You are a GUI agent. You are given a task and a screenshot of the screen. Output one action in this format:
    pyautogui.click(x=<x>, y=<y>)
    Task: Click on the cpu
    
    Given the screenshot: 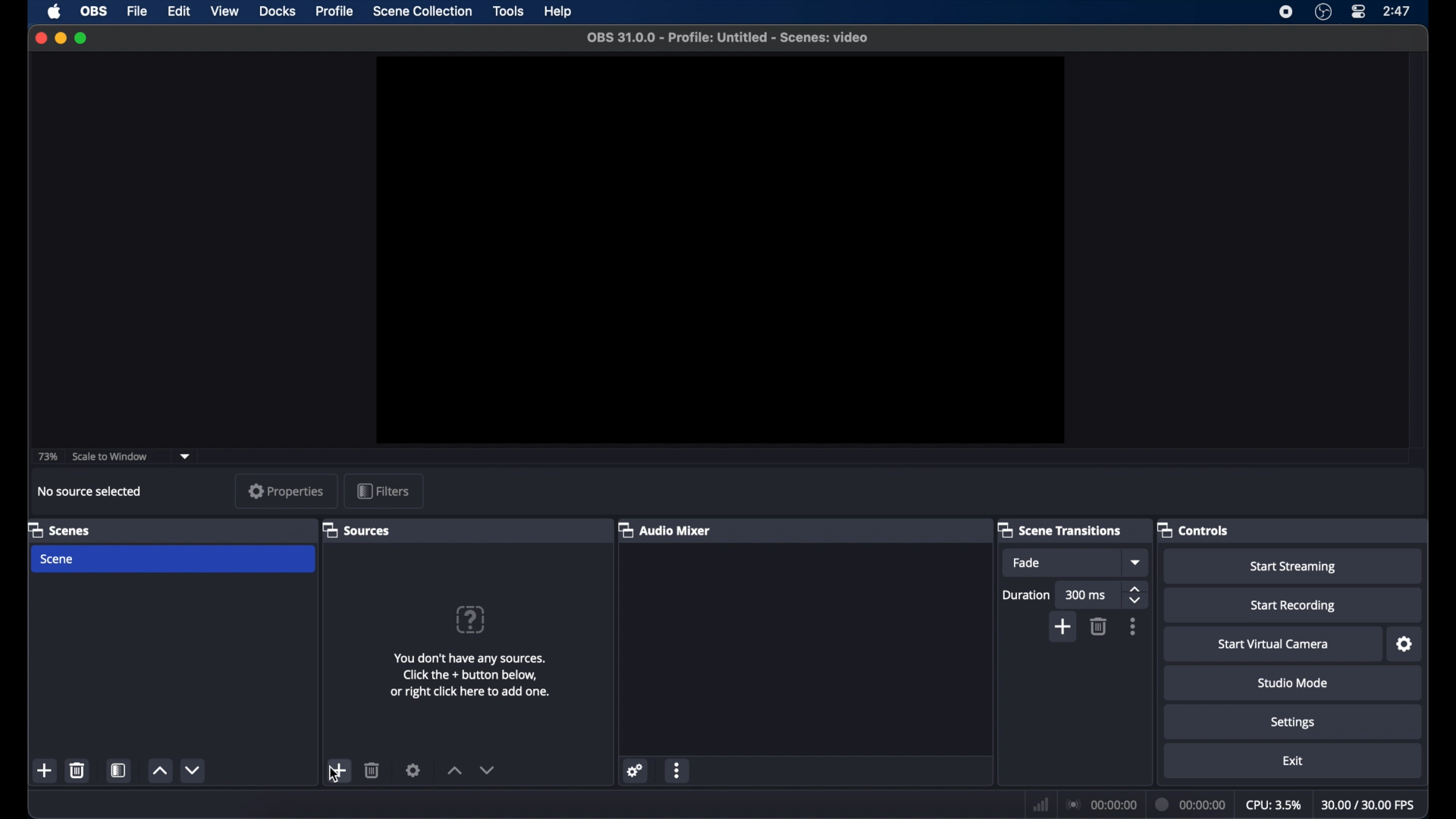 What is the action you would take?
    pyautogui.click(x=1273, y=805)
    